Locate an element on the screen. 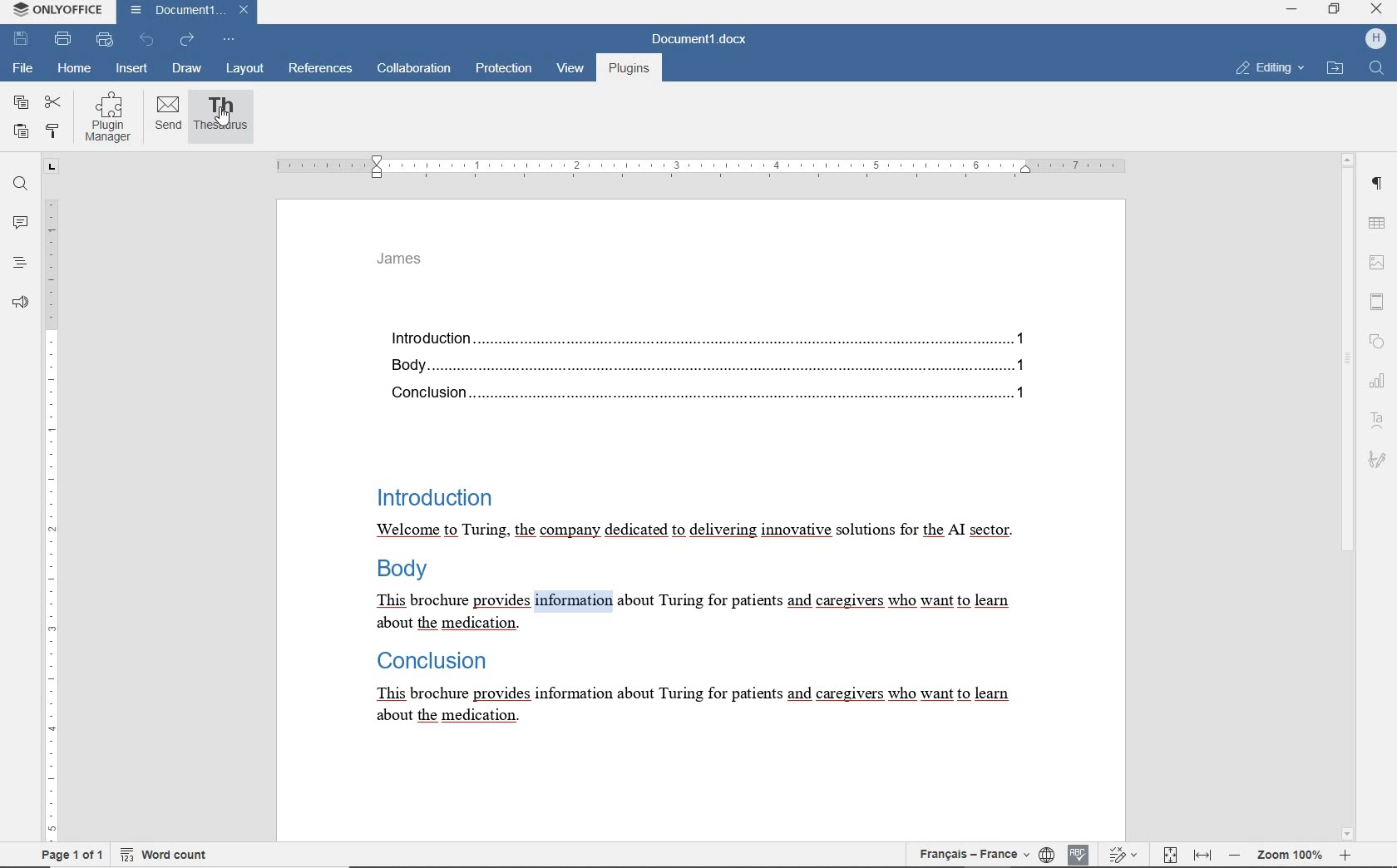  zoom in is located at coordinates (1348, 856).